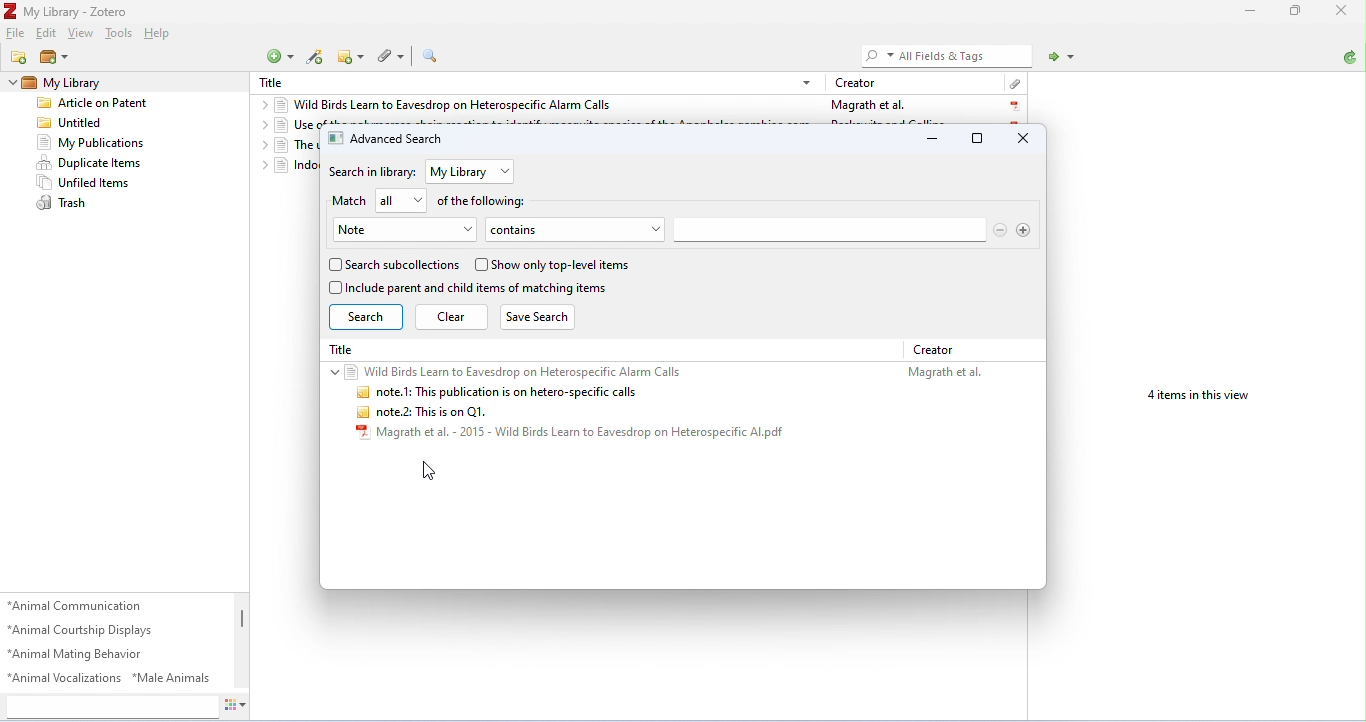 The image size is (1366, 722). What do you see at coordinates (77, 654) in the screenshot?
I see `animal mating behavior` at bounding box center [77, 654].